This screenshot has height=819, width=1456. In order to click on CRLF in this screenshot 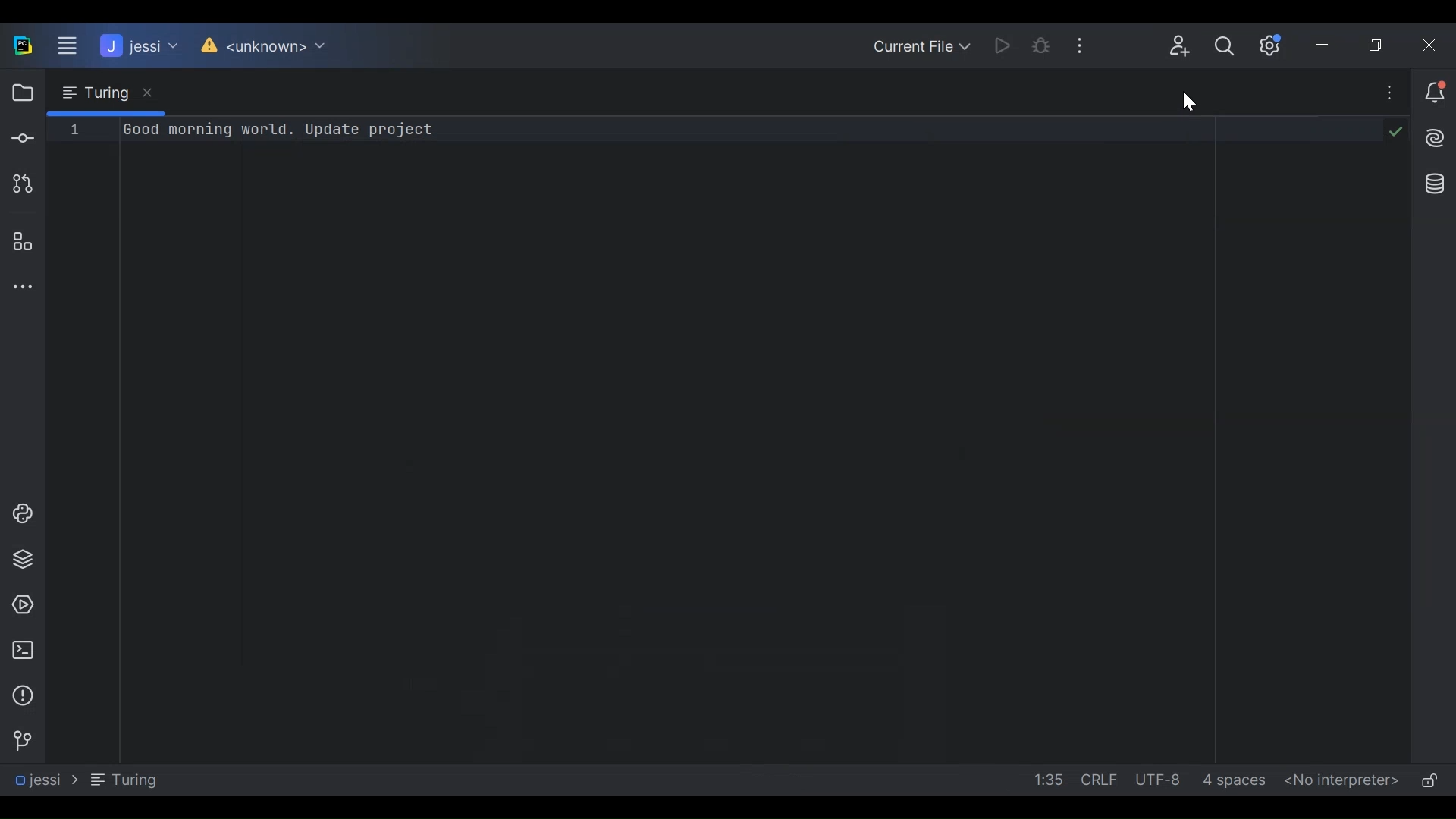, I will do `click(1101, 781)`.